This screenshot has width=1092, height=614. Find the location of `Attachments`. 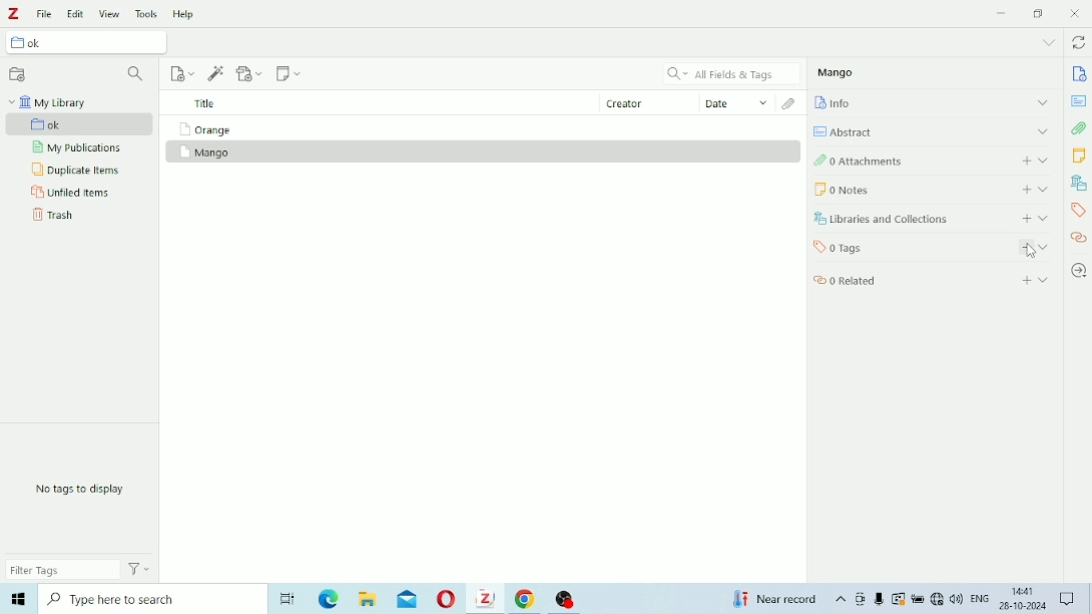

Attachments is located at coordinates (1079, 128).